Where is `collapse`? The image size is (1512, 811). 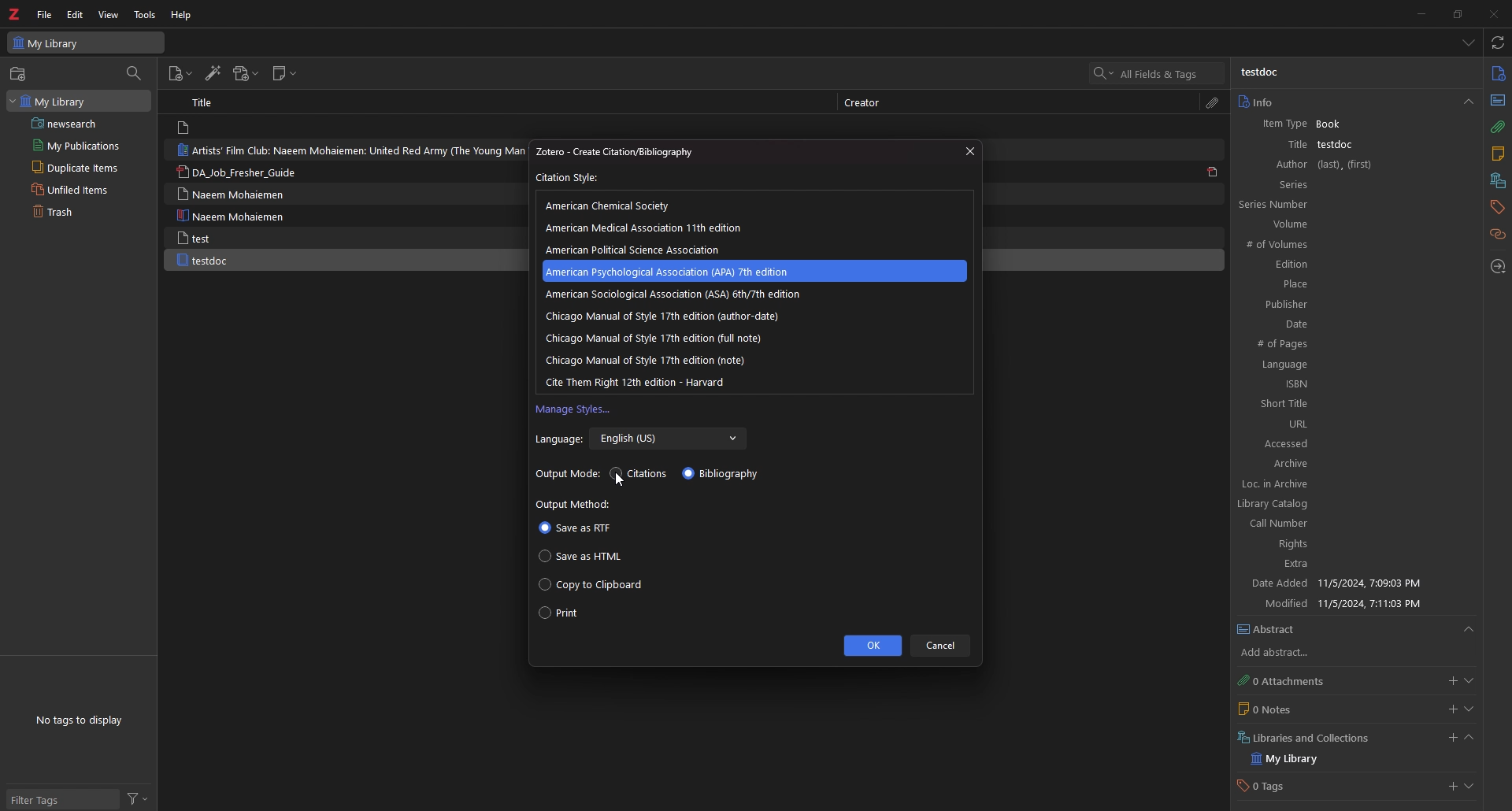
collapse is located at coordinates (1469, 739).